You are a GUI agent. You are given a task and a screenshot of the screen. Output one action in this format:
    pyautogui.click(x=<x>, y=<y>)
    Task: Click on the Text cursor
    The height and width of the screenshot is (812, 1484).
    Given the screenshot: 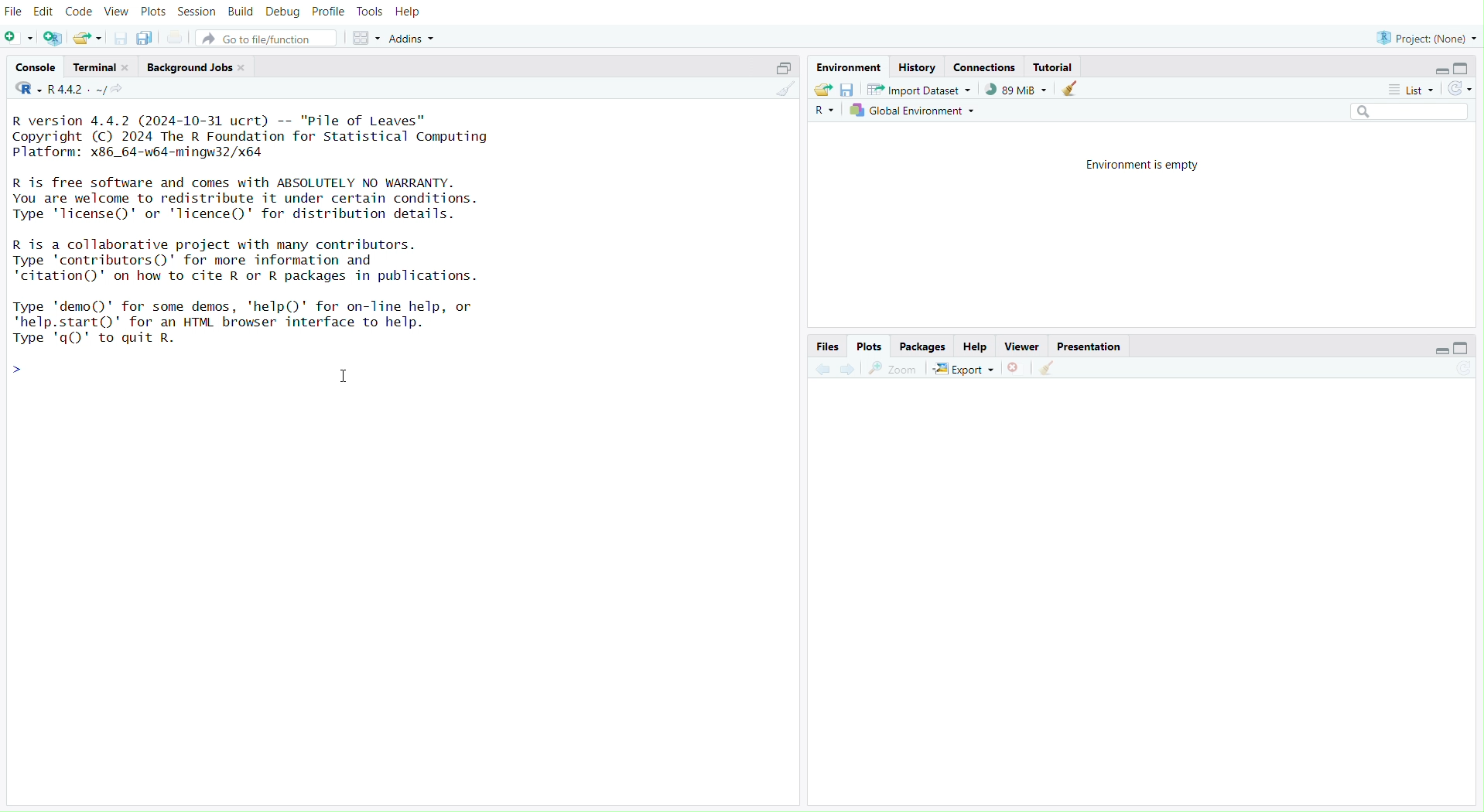 What is the action you would take?
    pyautogui.click(x=354, y=378)
    